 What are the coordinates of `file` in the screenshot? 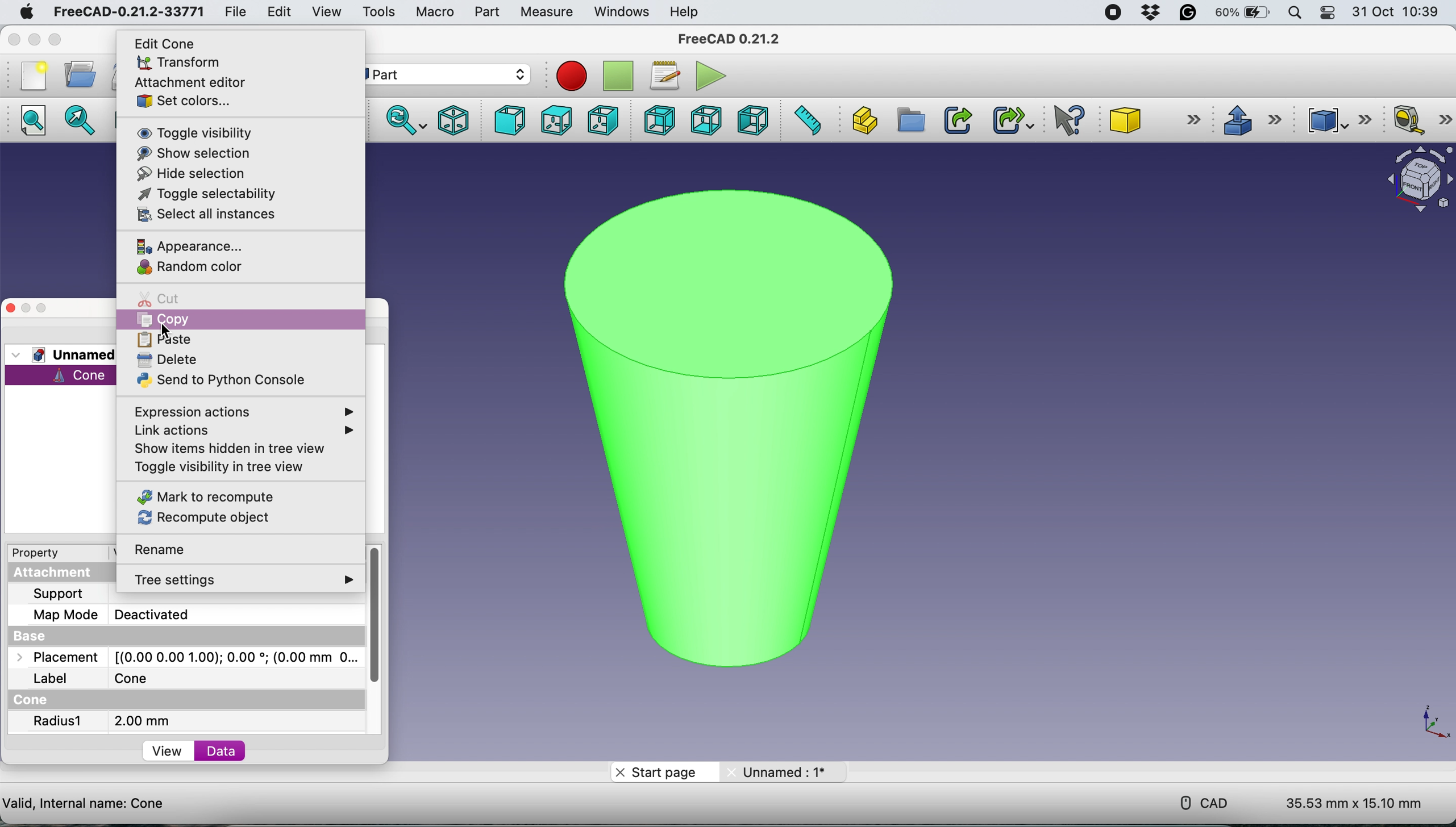 It's located at (231, 11).